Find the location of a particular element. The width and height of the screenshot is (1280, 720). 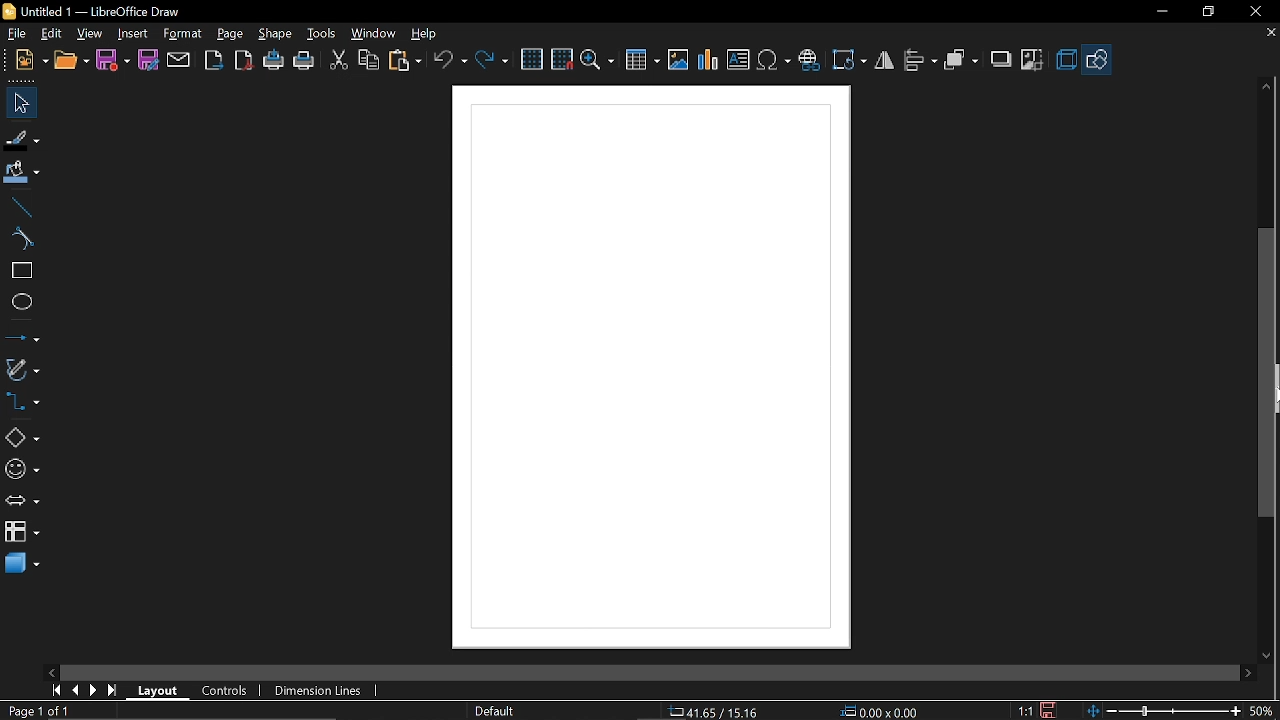

ellipse is located at coordinates (19, 300).